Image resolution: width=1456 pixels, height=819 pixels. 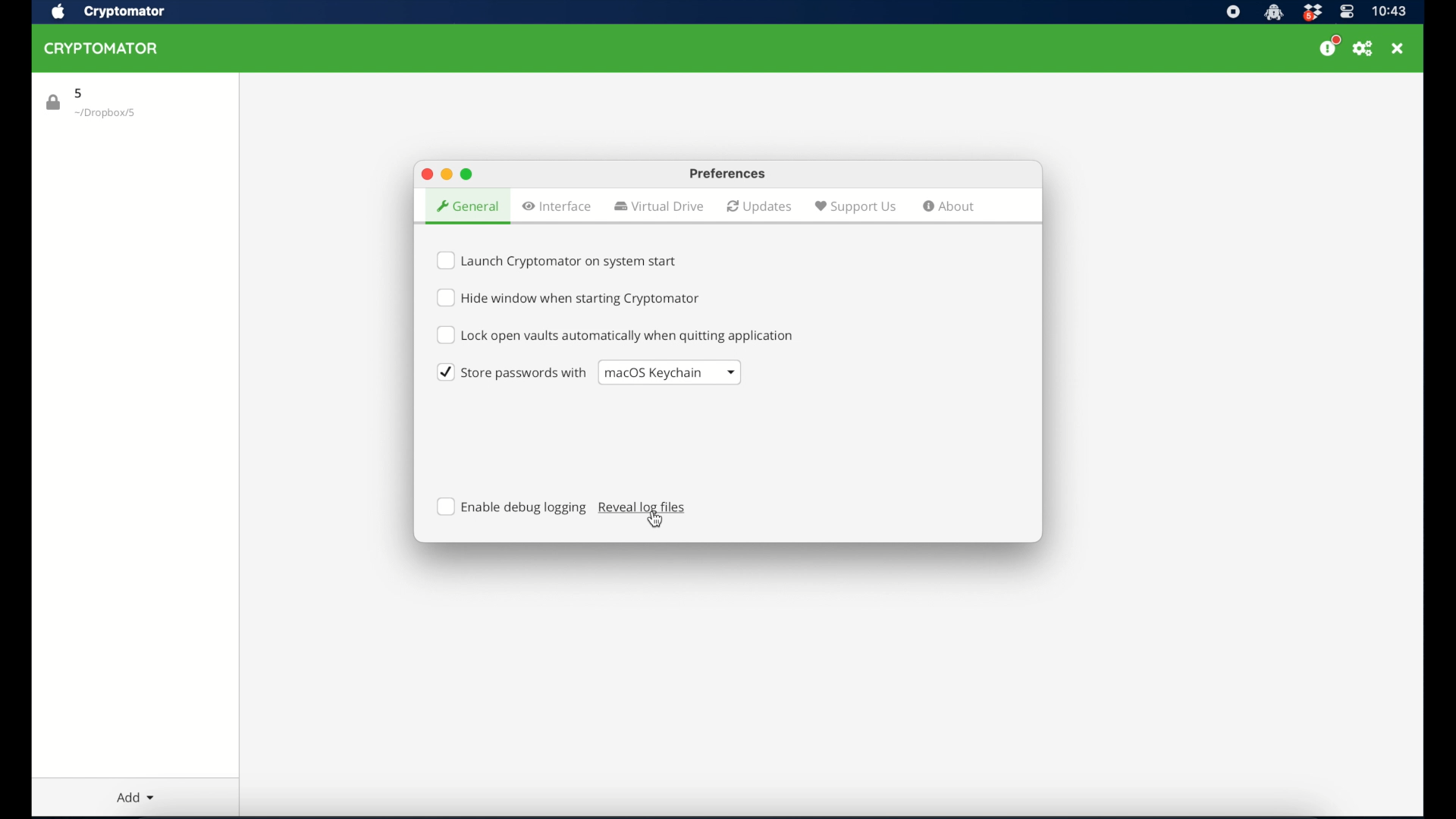 What do you see at coordinates (615, 334) in the screenshot?
I see `lock open vaults automatically when quitting application` at bounding box center [615, 334].